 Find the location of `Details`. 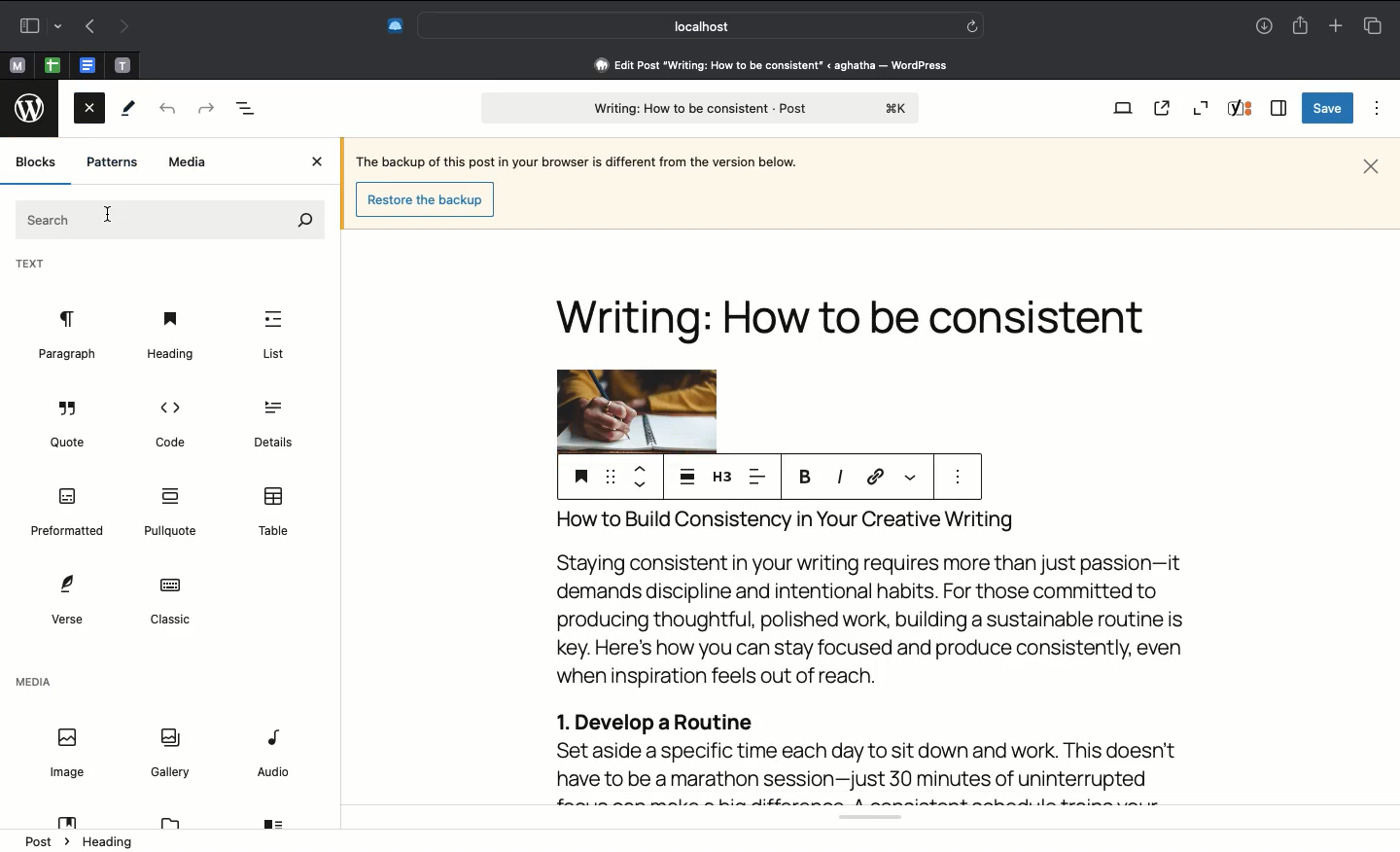

Details is located at coordinates (270, 425).